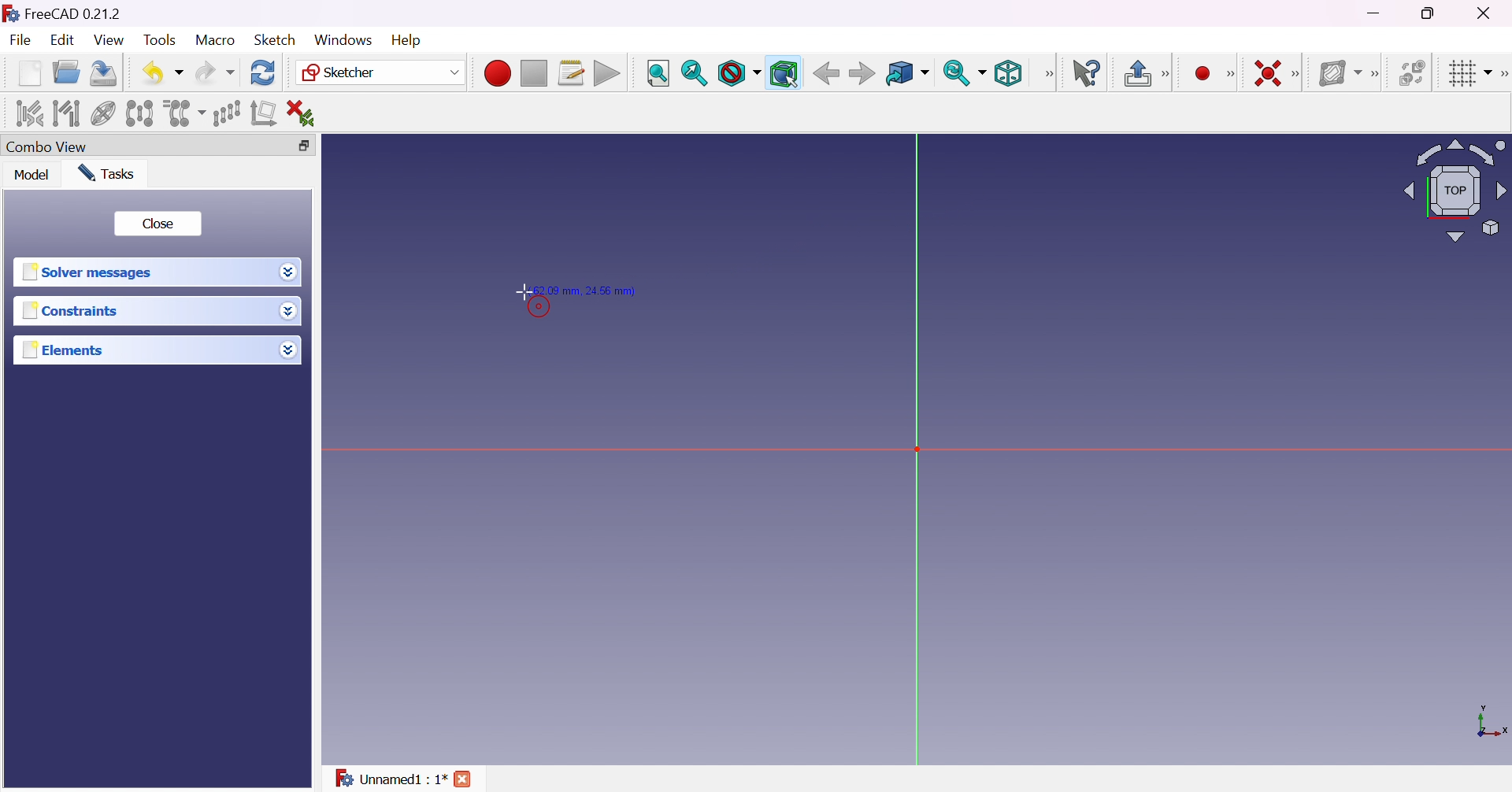 The width and height of the screenshot is (1512, 792). I want to click on Rectangular array, so click(226, 112).